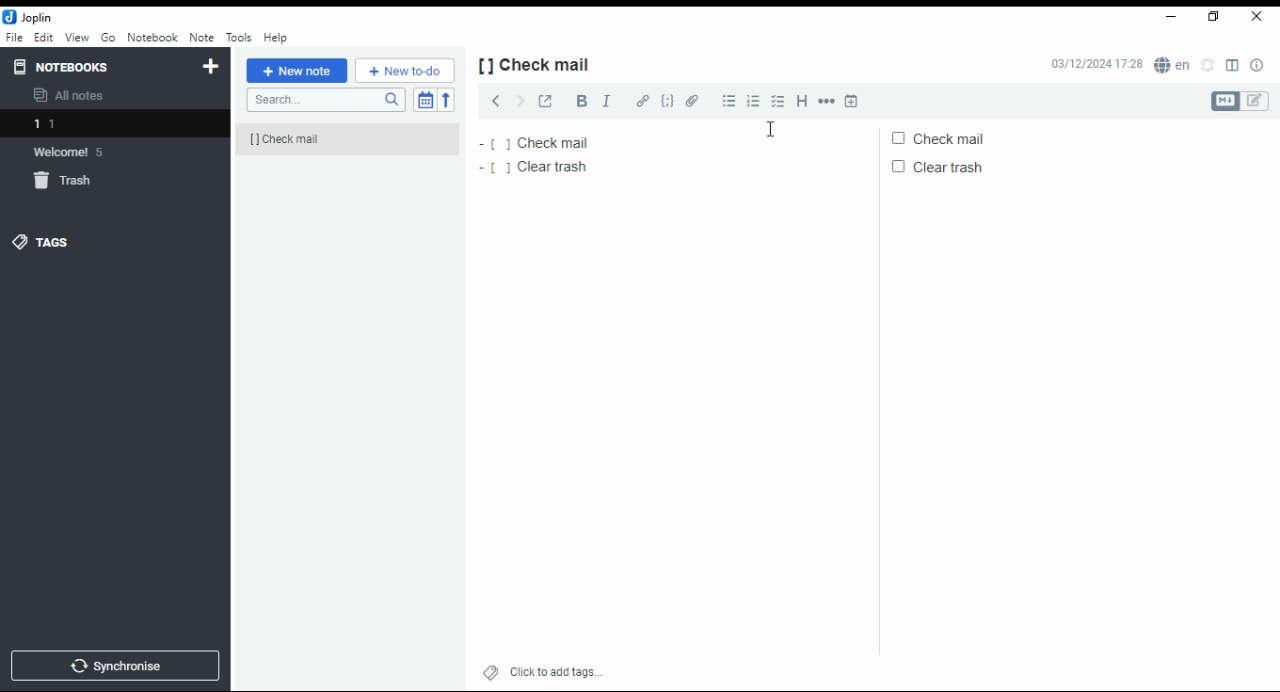  What do you see at coordinates (776, 100) in the screenshot?
I see `checkbox list` at bounding box center [776, 100].